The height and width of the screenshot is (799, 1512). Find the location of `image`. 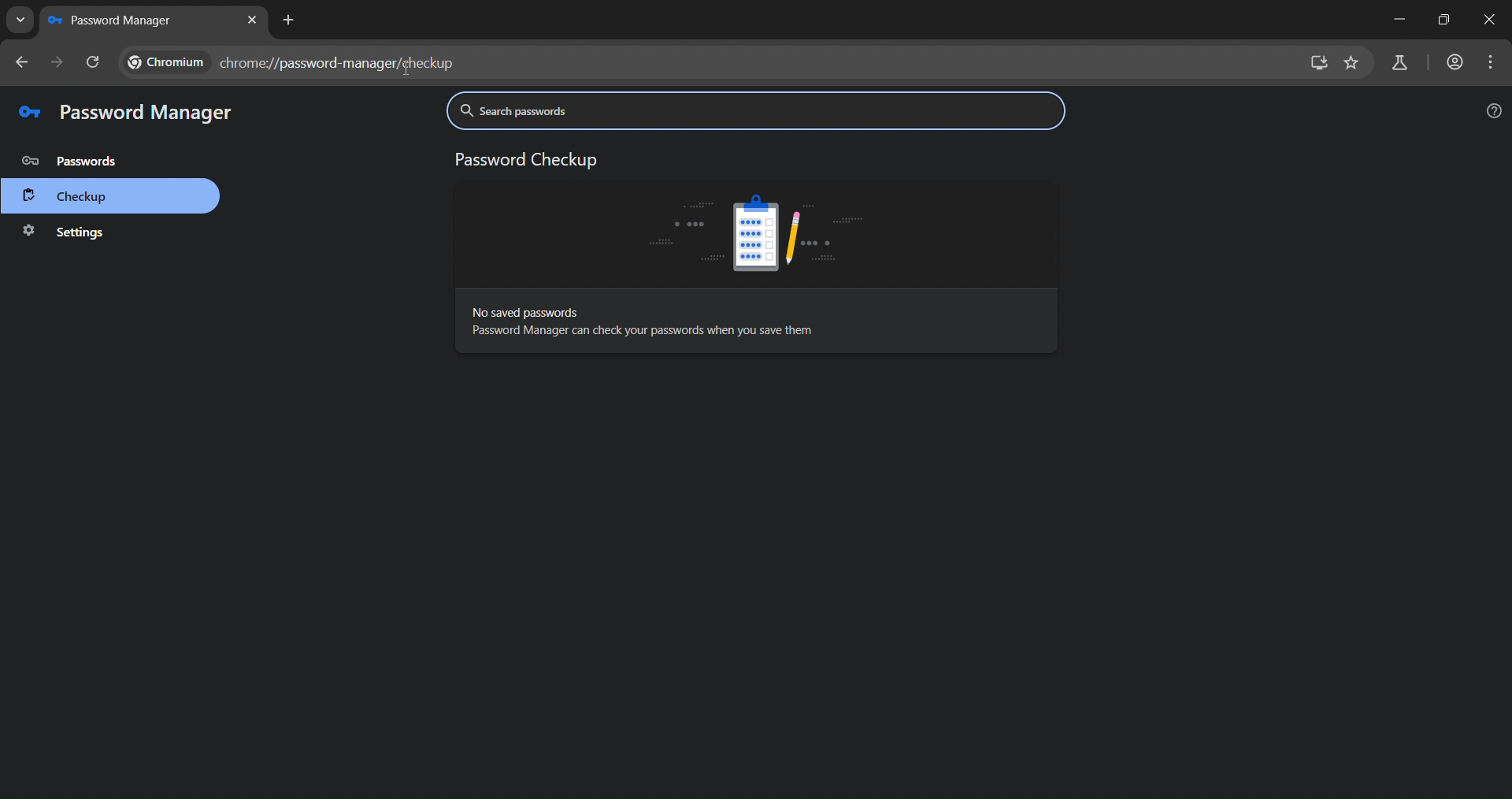

image is located at coordinates (758, 229).